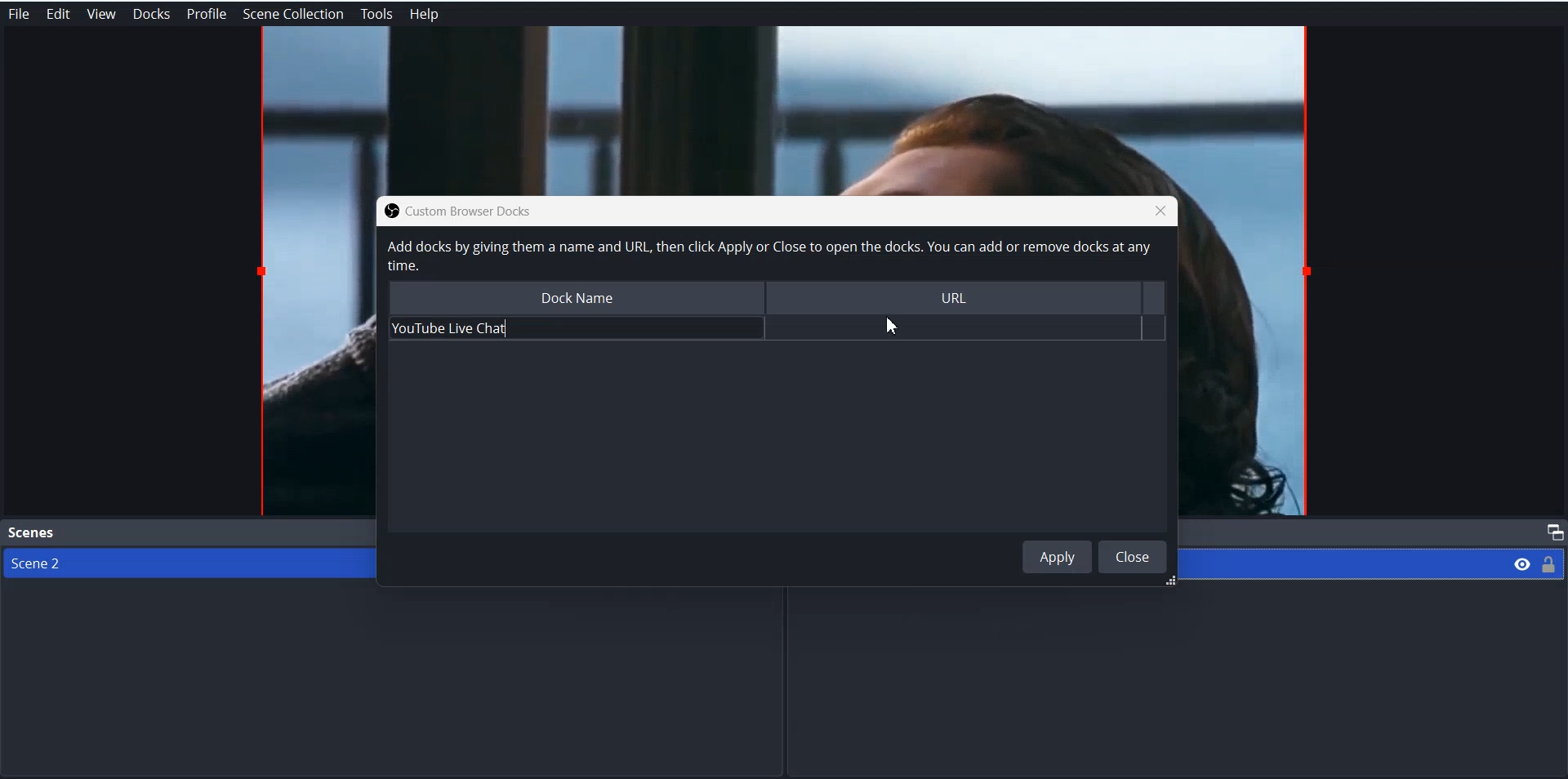  Describe the element at coordinates (1549, 563) in the screenshot. I see `Lock/ Unlock` at that location.